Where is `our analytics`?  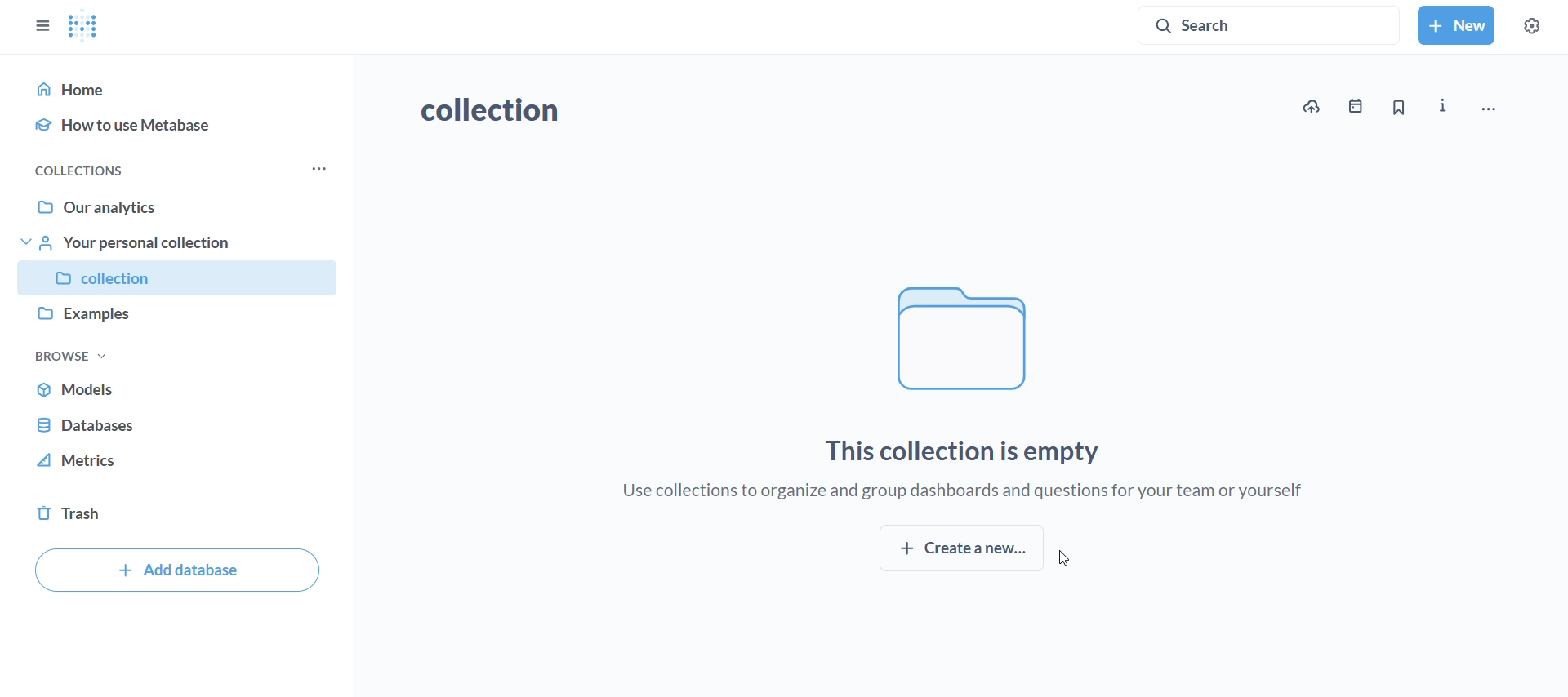
our analytics is located at coordinates (177, 206).